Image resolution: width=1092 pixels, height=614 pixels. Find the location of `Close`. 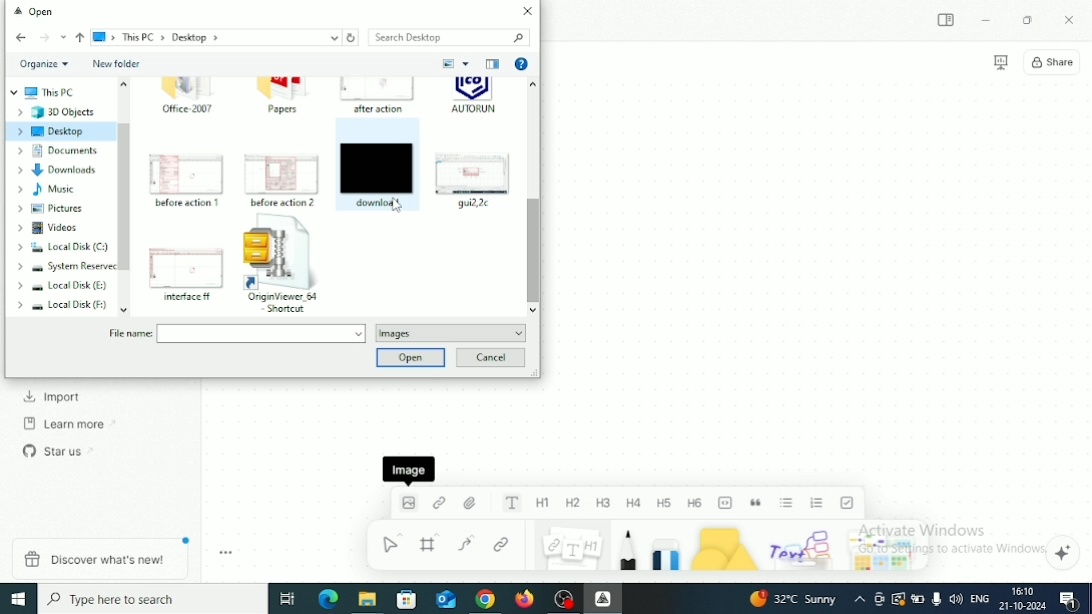

Close is located at coordinates (528, 11).